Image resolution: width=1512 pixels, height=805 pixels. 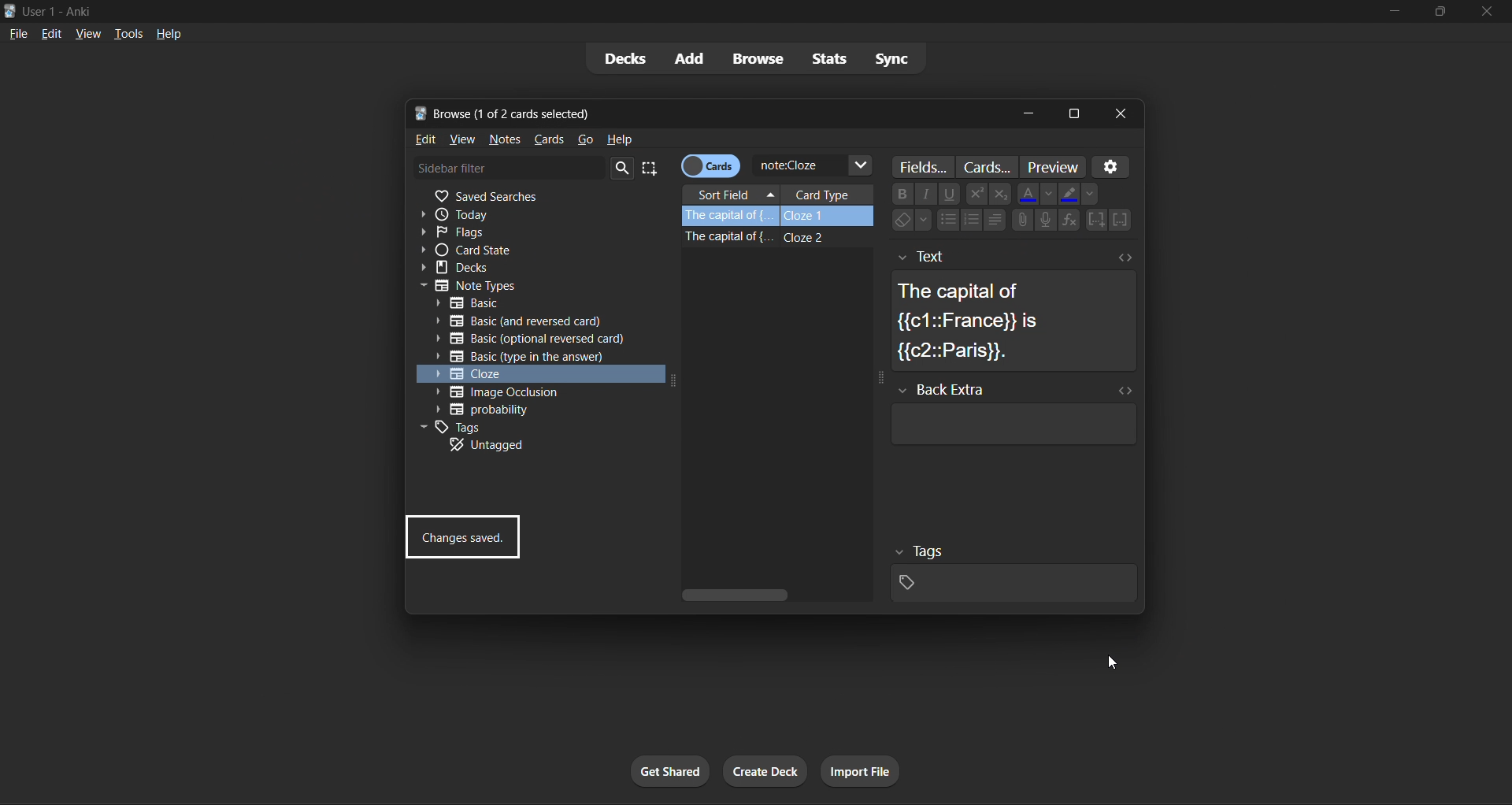 I want to click on get shared, so click(x=673, y=770).